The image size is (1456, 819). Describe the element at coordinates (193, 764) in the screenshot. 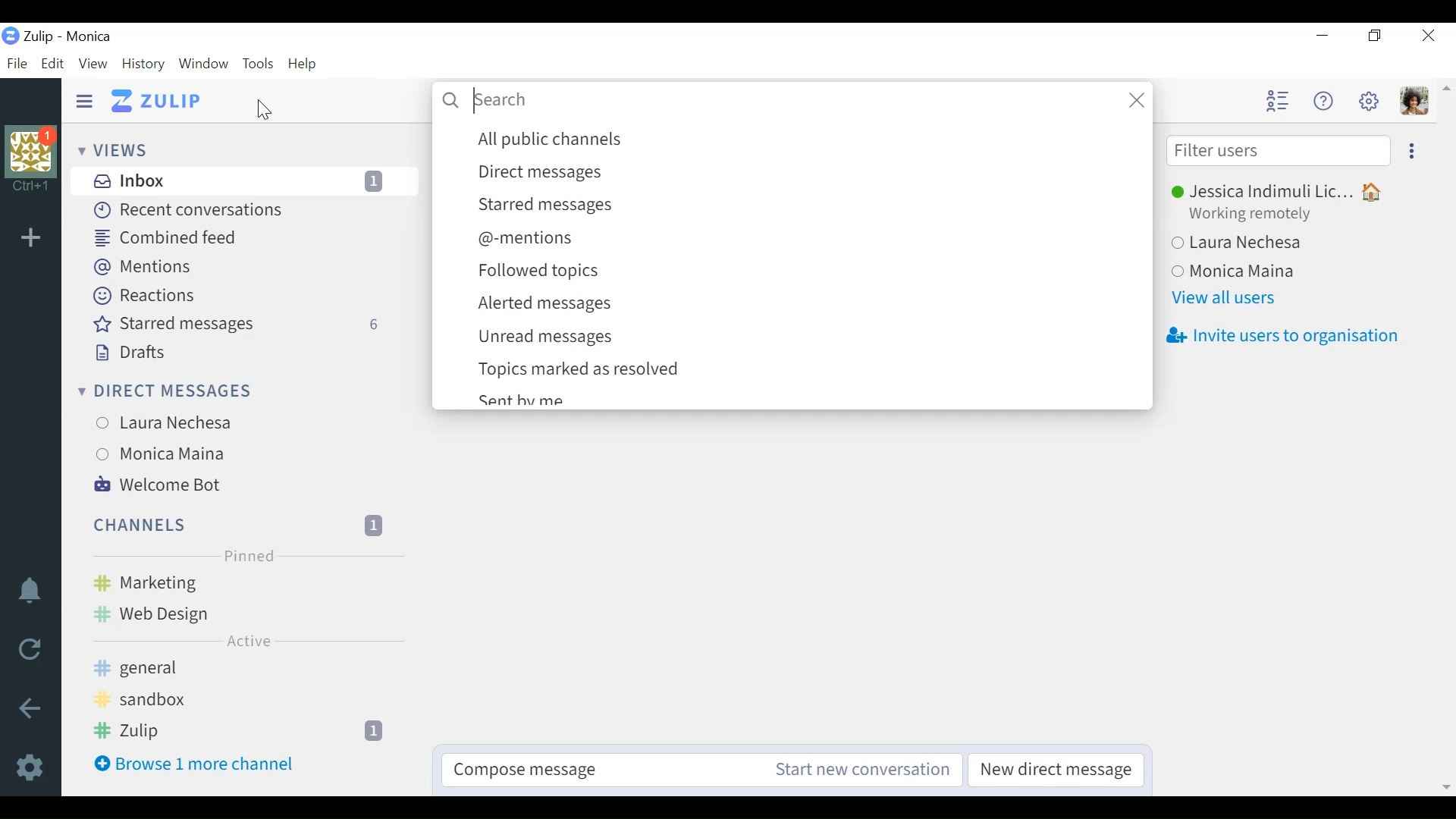

I see `Browse more channel` at that location.